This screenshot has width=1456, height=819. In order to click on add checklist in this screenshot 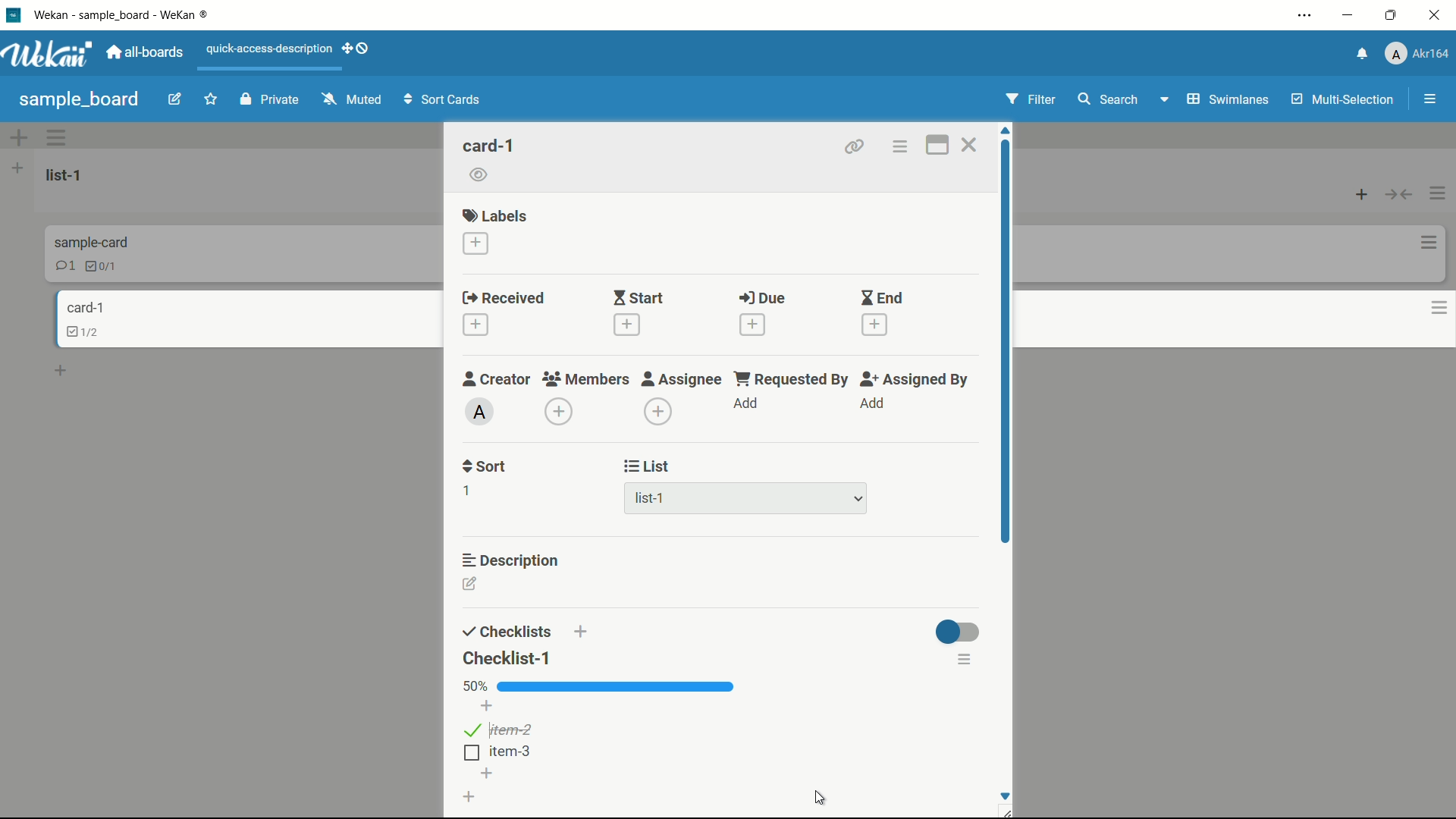, I will do `click(579, 633)`.